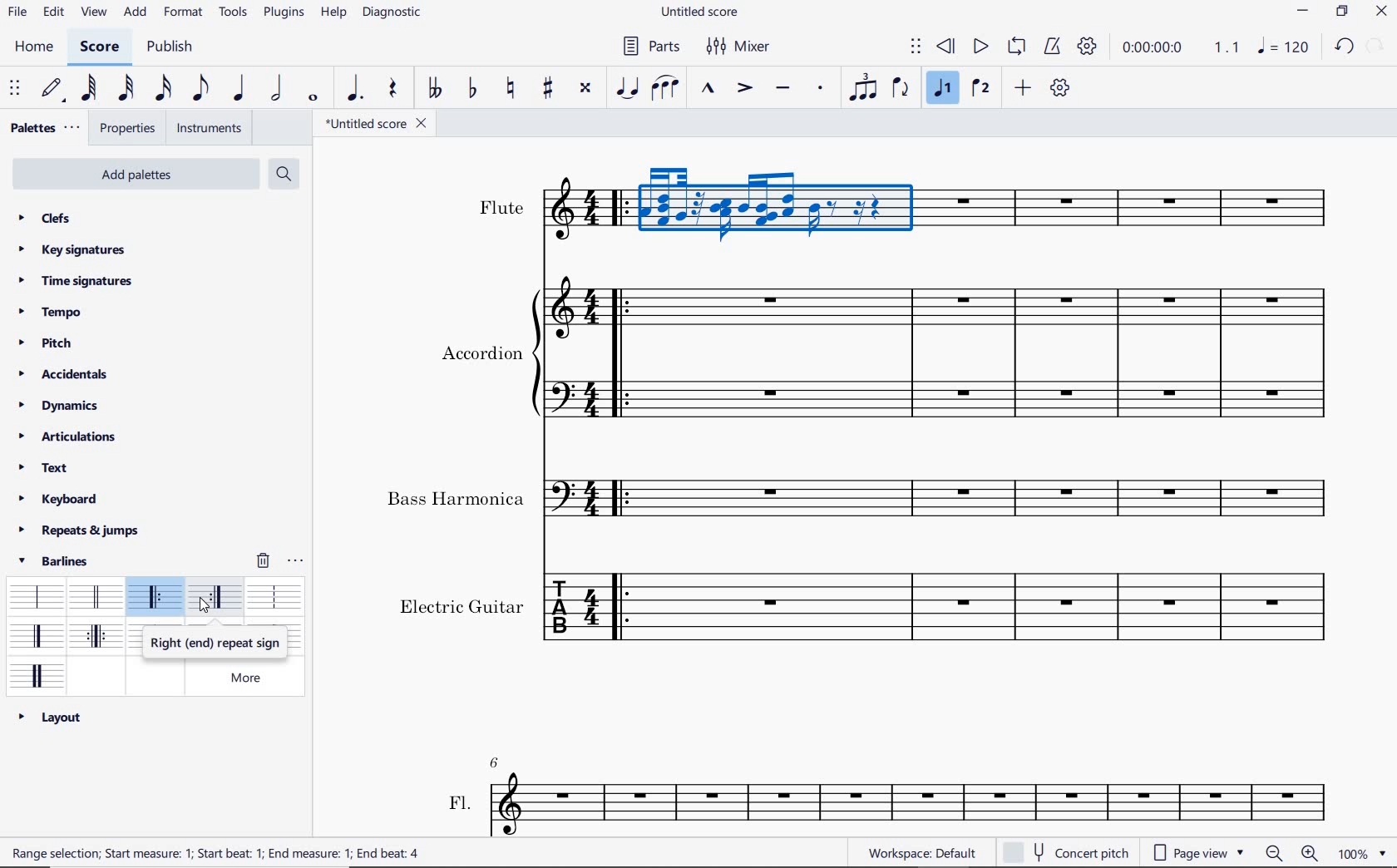 This screenshot has width=1397, height=868. What do you see at coordinates (199, 88) in the screenshot?
I see `eighth note` at bounding box center [199, 88].